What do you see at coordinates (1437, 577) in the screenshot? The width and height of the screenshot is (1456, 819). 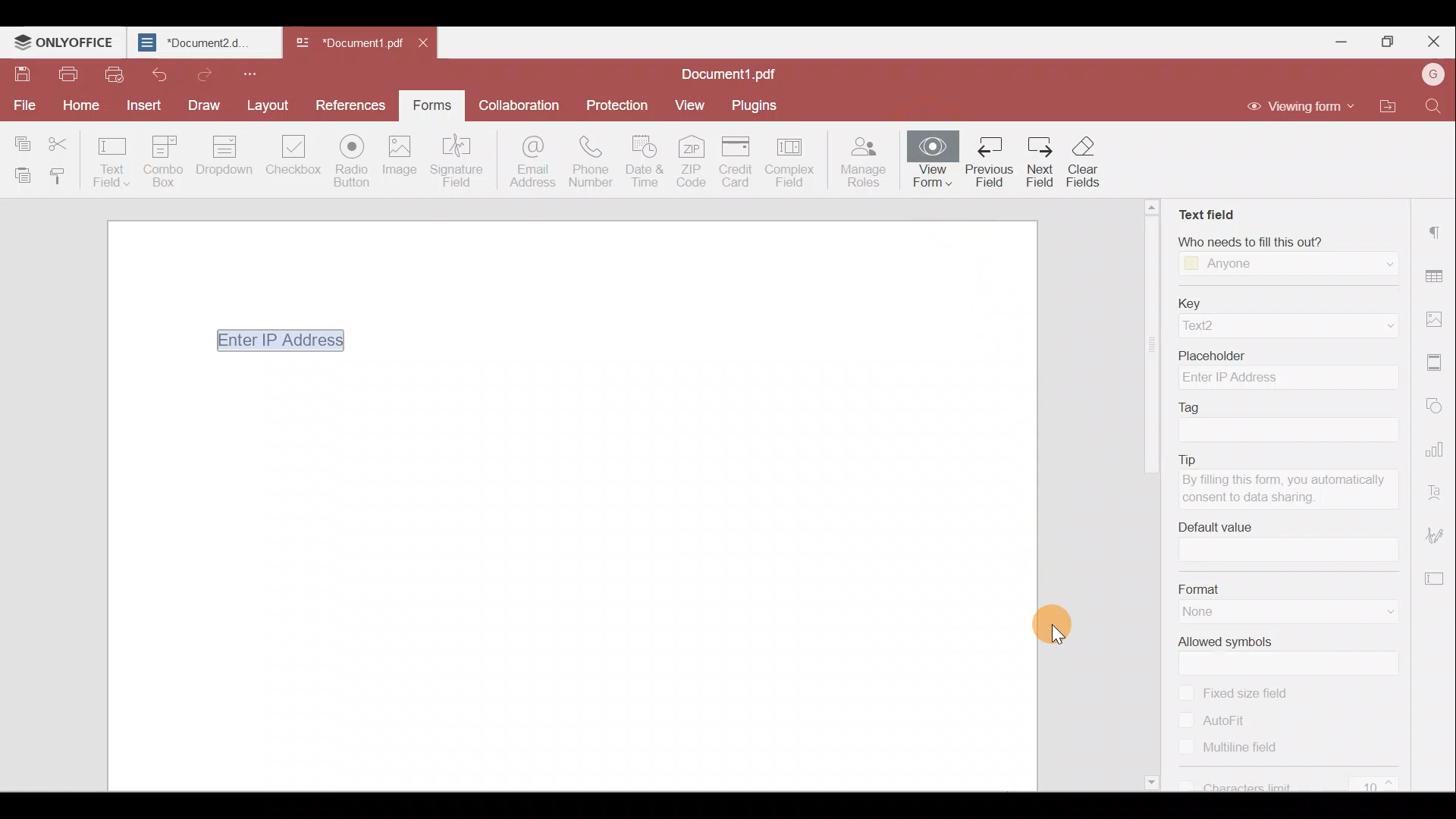 I see `Form settings` at bounding box center [1437, 577].